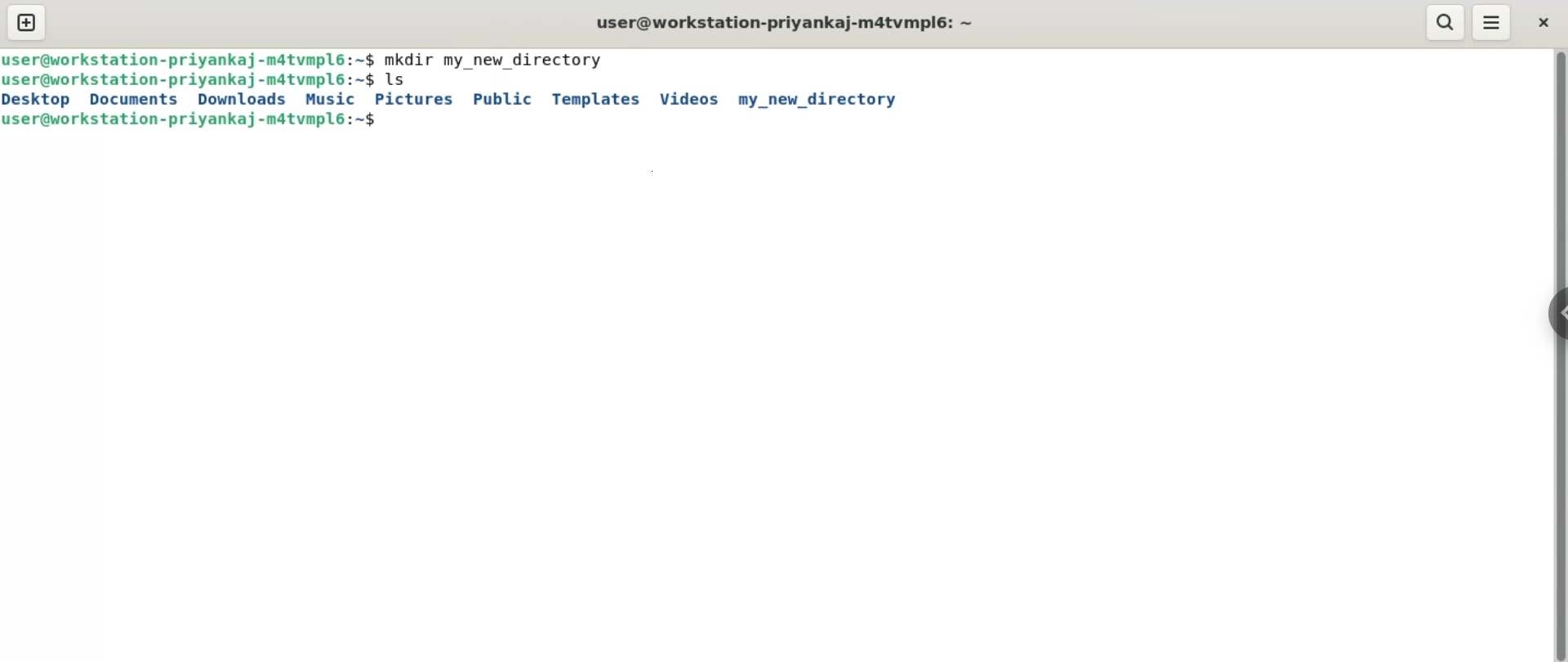 This screenshot has height=662, width=1568. Describe the element at coordinates (412, 98) in the screenshot. I see `pictures` at that location.